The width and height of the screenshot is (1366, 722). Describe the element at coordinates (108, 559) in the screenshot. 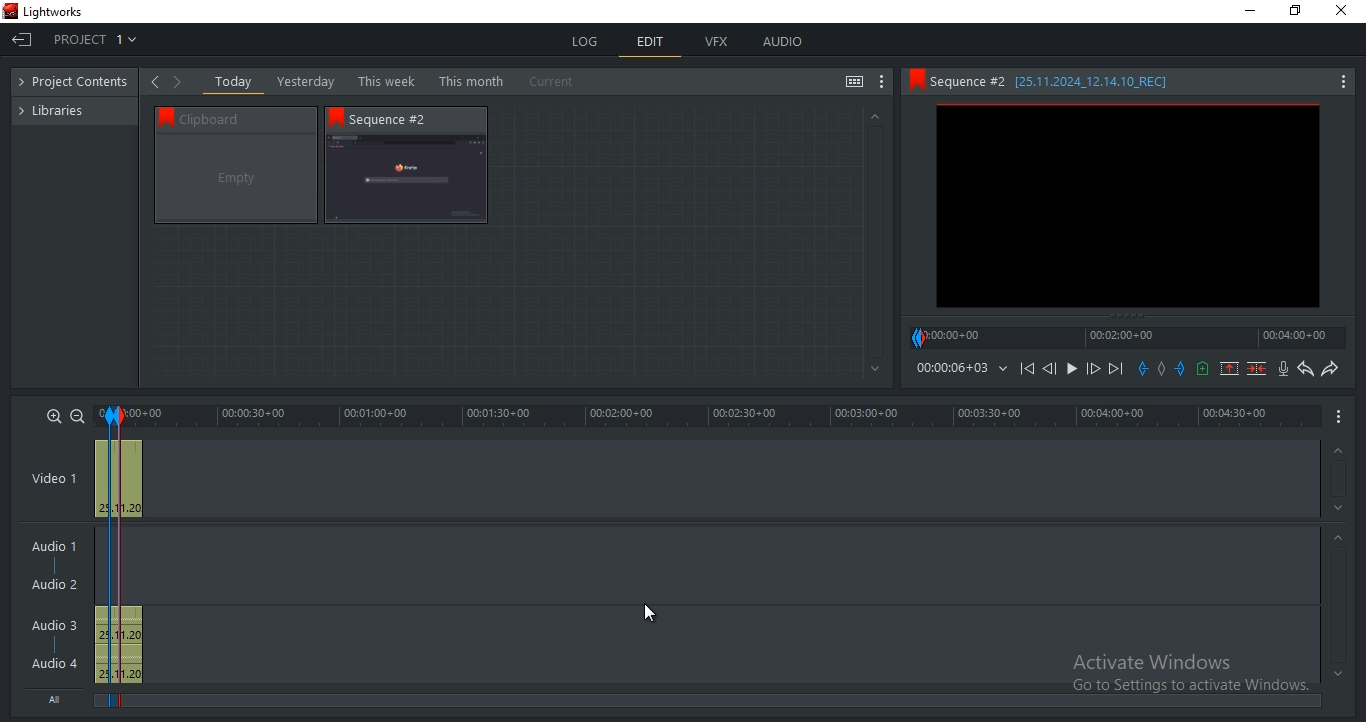

I see `in-point` at that location.